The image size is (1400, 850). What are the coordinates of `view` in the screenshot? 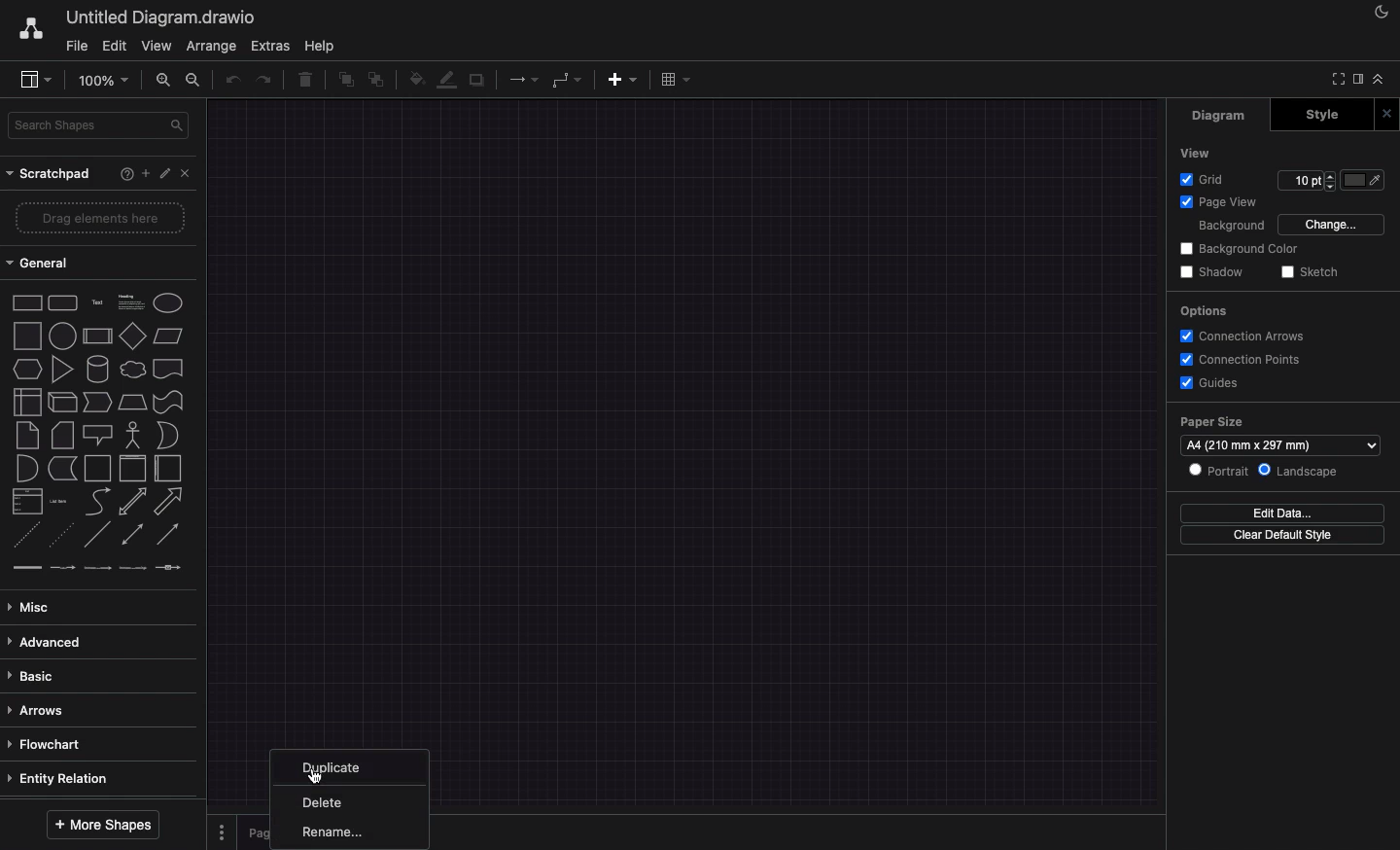 It's located at (1193, 155).